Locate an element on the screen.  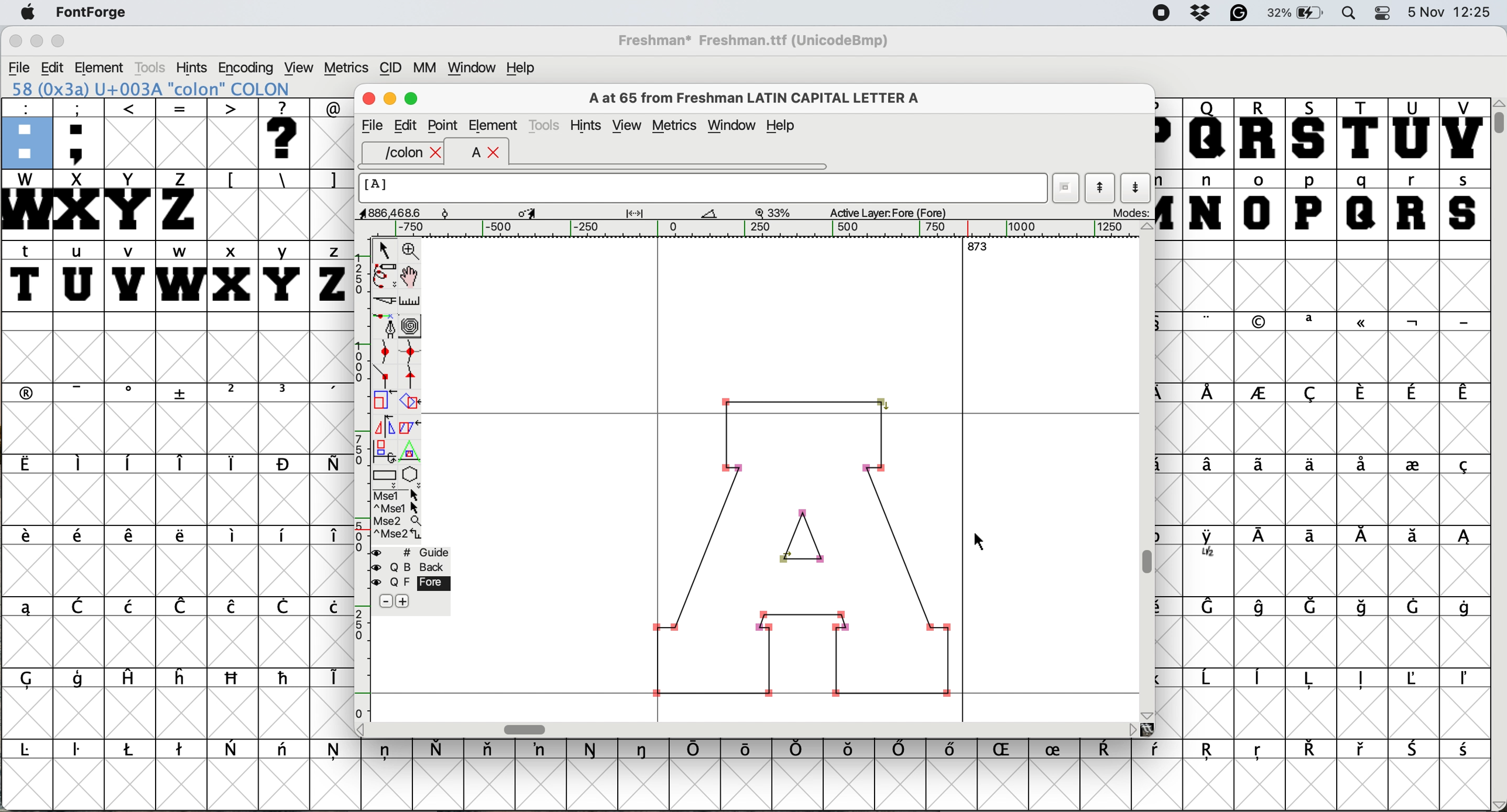
symbol is located at coordinates (234, 463).